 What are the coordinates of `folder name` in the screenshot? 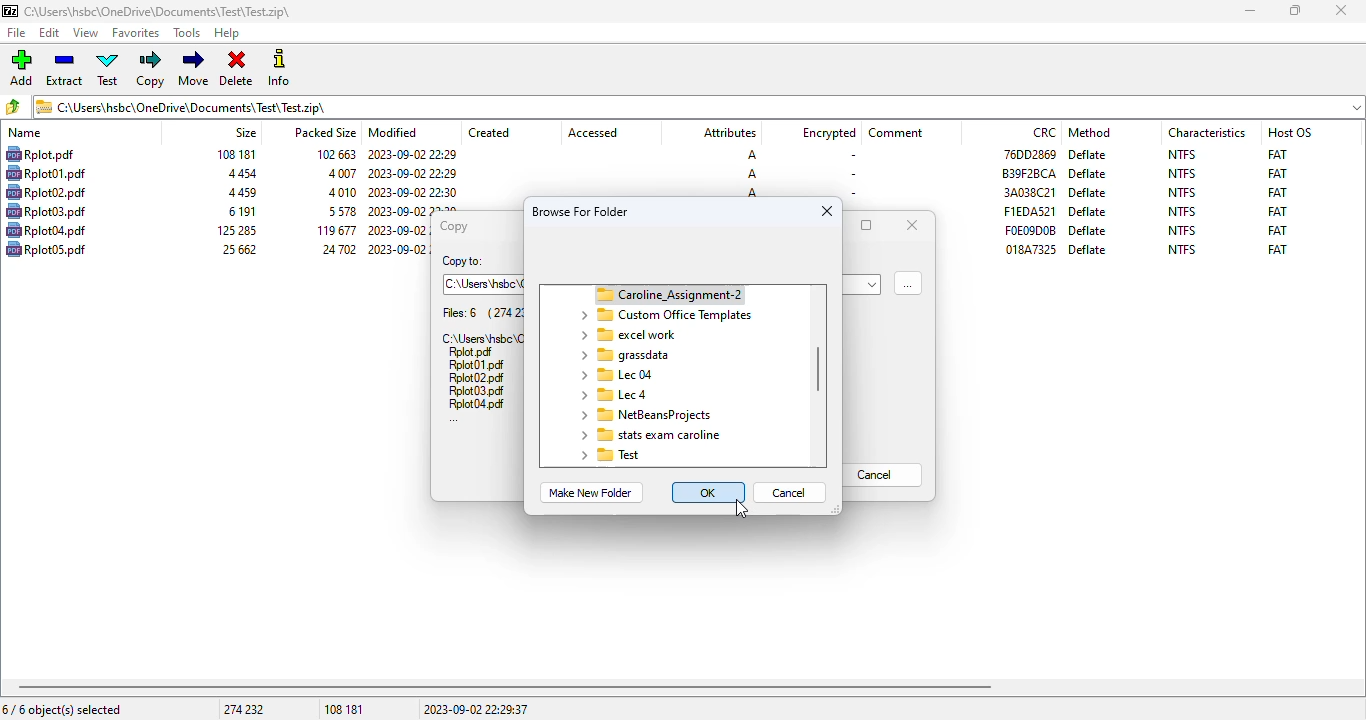 It's located at (610, 455).